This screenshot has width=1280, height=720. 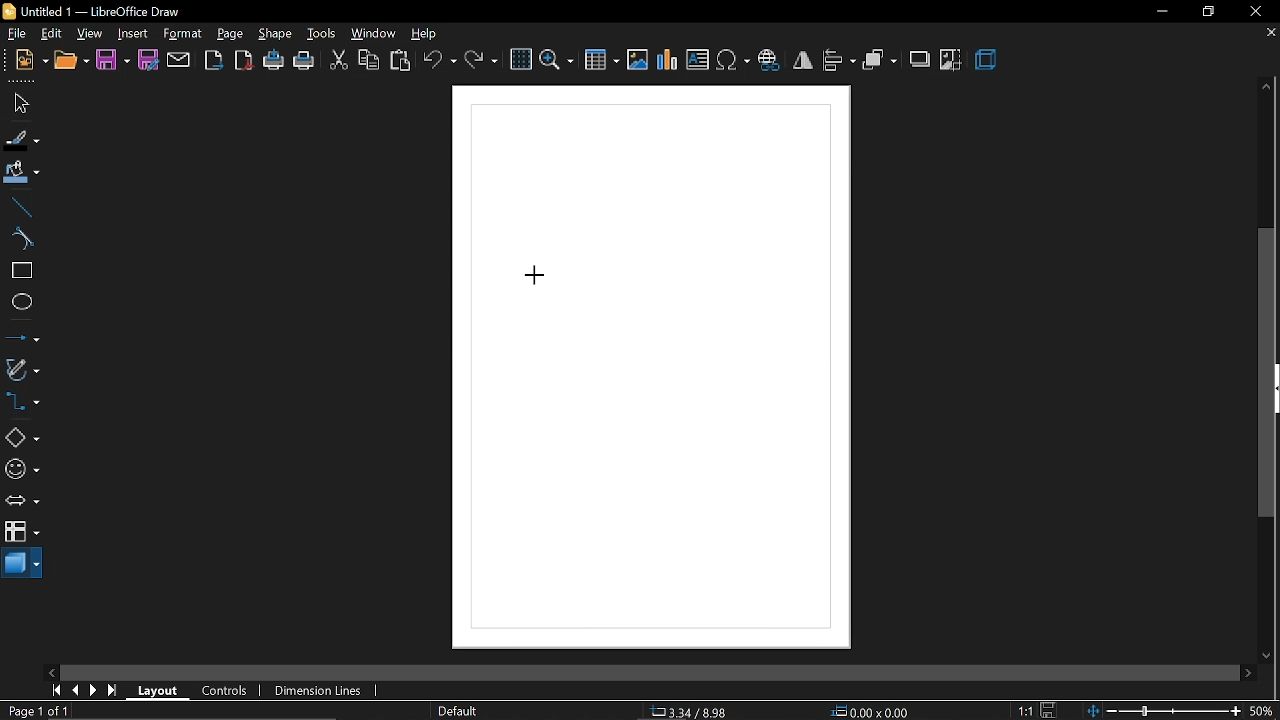 What do you see at coordinates (703, 711) in the screenshot?
I see `co-ordinates` at bounding box center [703, 711].